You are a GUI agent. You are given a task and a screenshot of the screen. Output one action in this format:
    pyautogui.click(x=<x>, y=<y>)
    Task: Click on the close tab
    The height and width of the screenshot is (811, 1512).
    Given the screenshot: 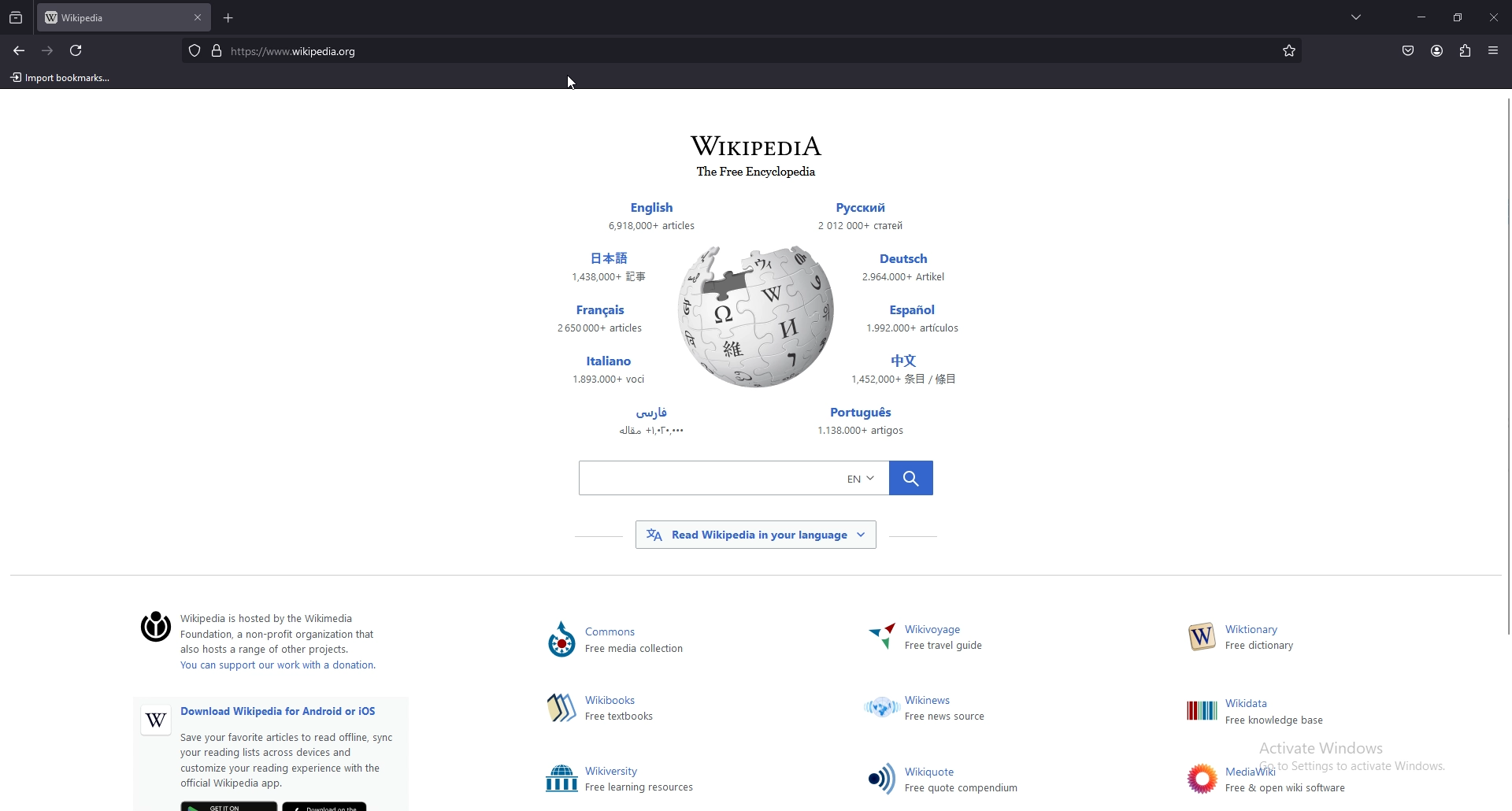 What is the action you would take?
    pyautogui.click(x=198, y=17)
    